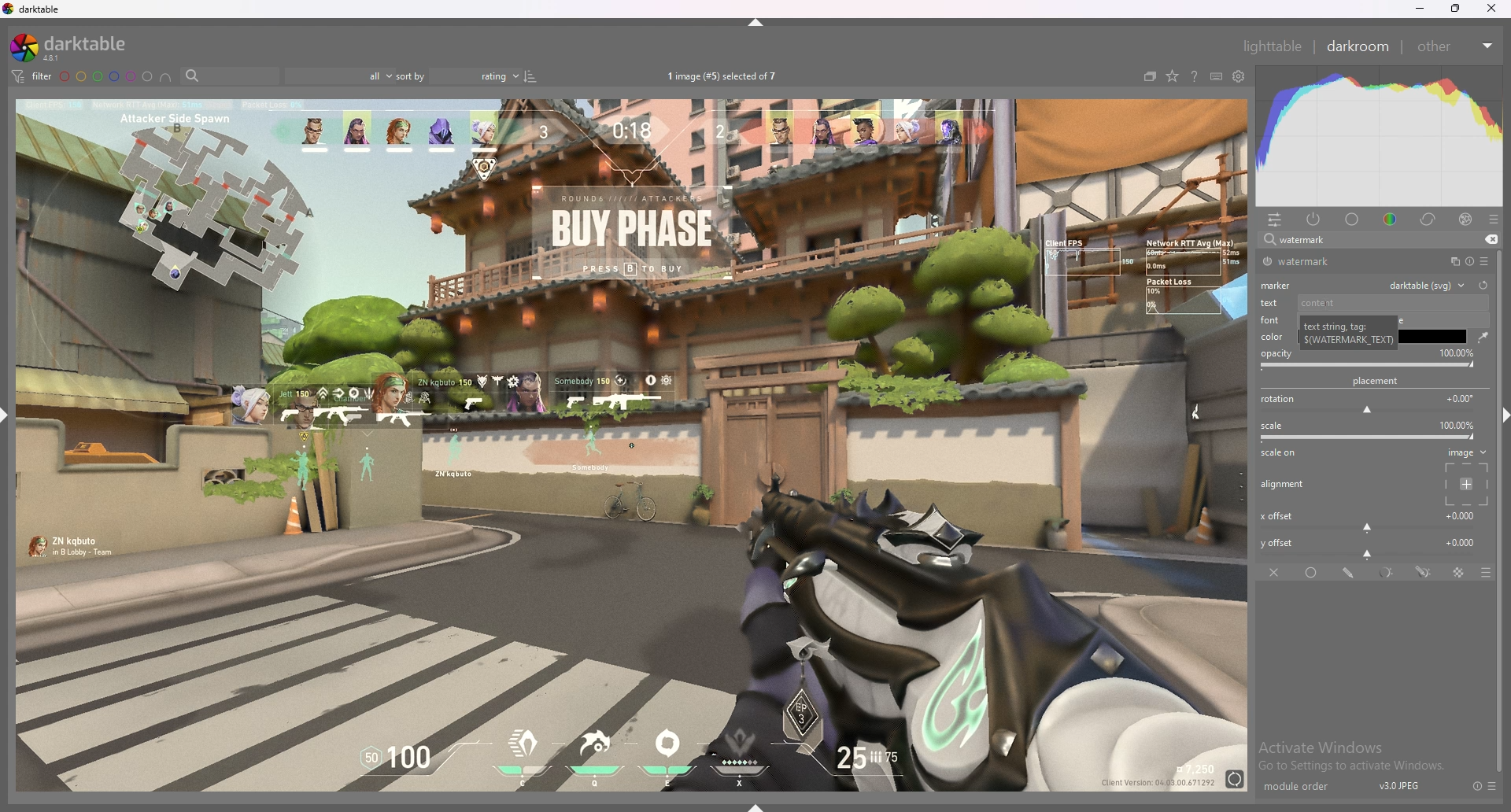  I want to click on color, so click(1393, 218).